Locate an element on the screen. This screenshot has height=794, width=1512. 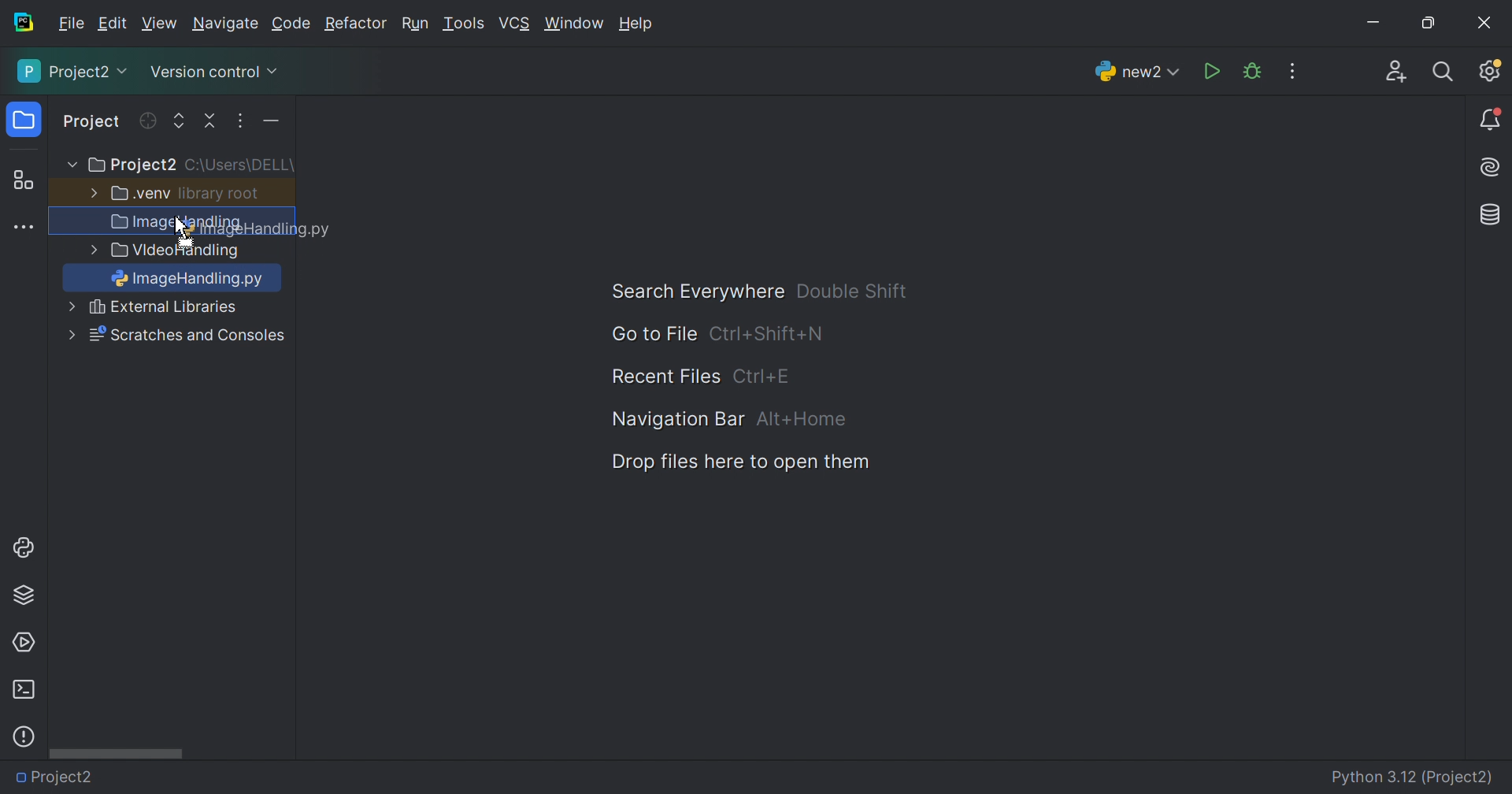
External Libraries is located at coordinates (187, 336).